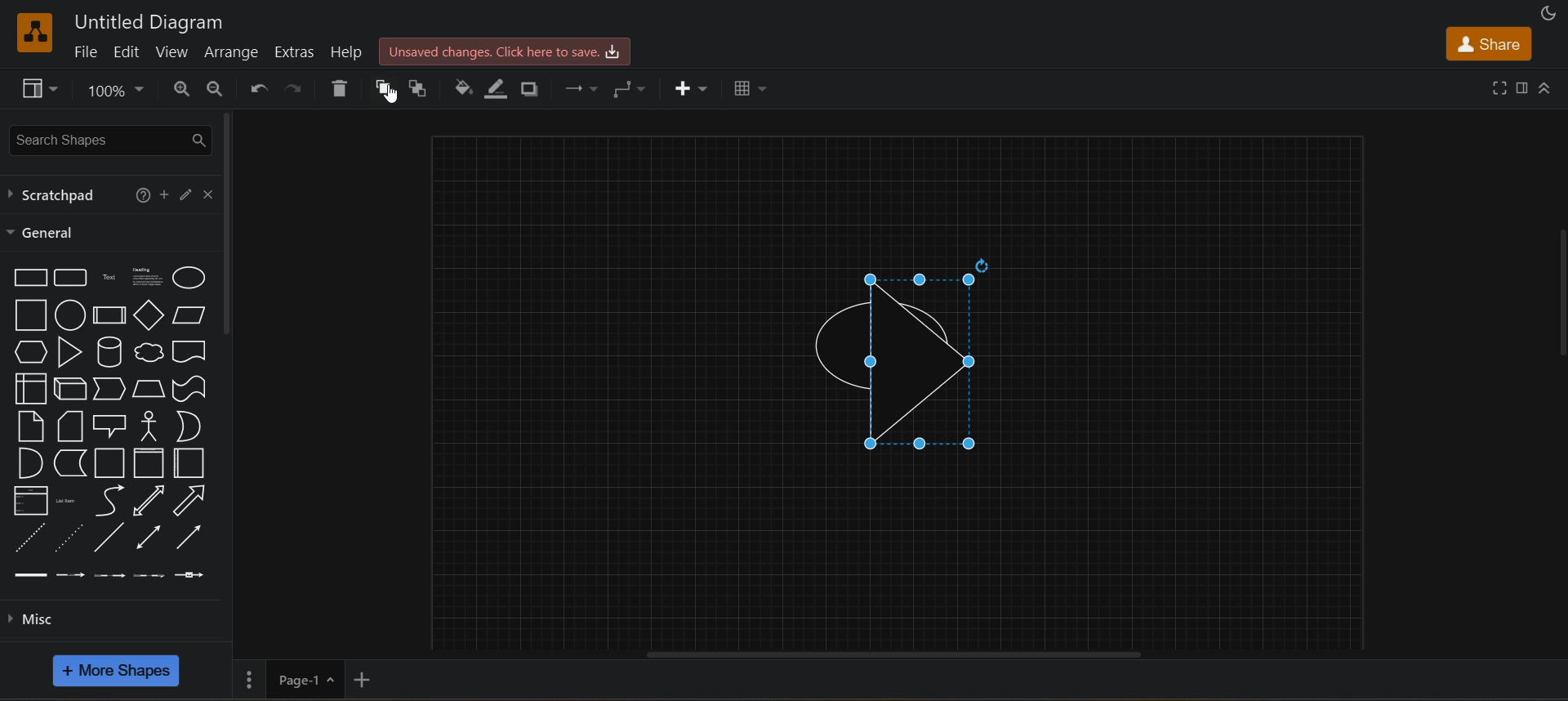 This screenshot has width=1568, height=701. Describe the element at coordinates (105, 500) in the screenshot. I see `curve` at that location.